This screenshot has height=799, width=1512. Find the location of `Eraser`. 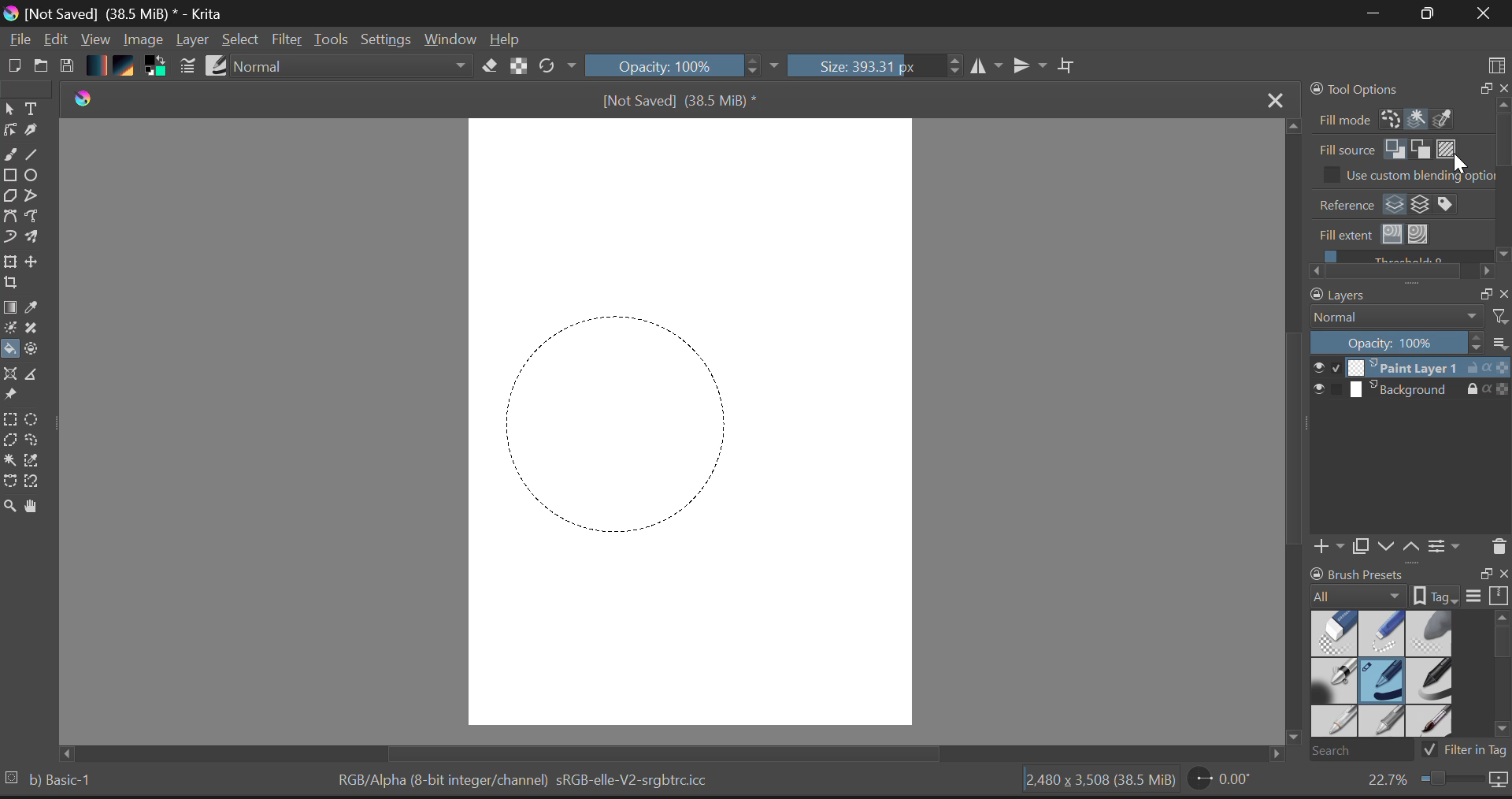

Eraser is located at coordinates (487, 66).